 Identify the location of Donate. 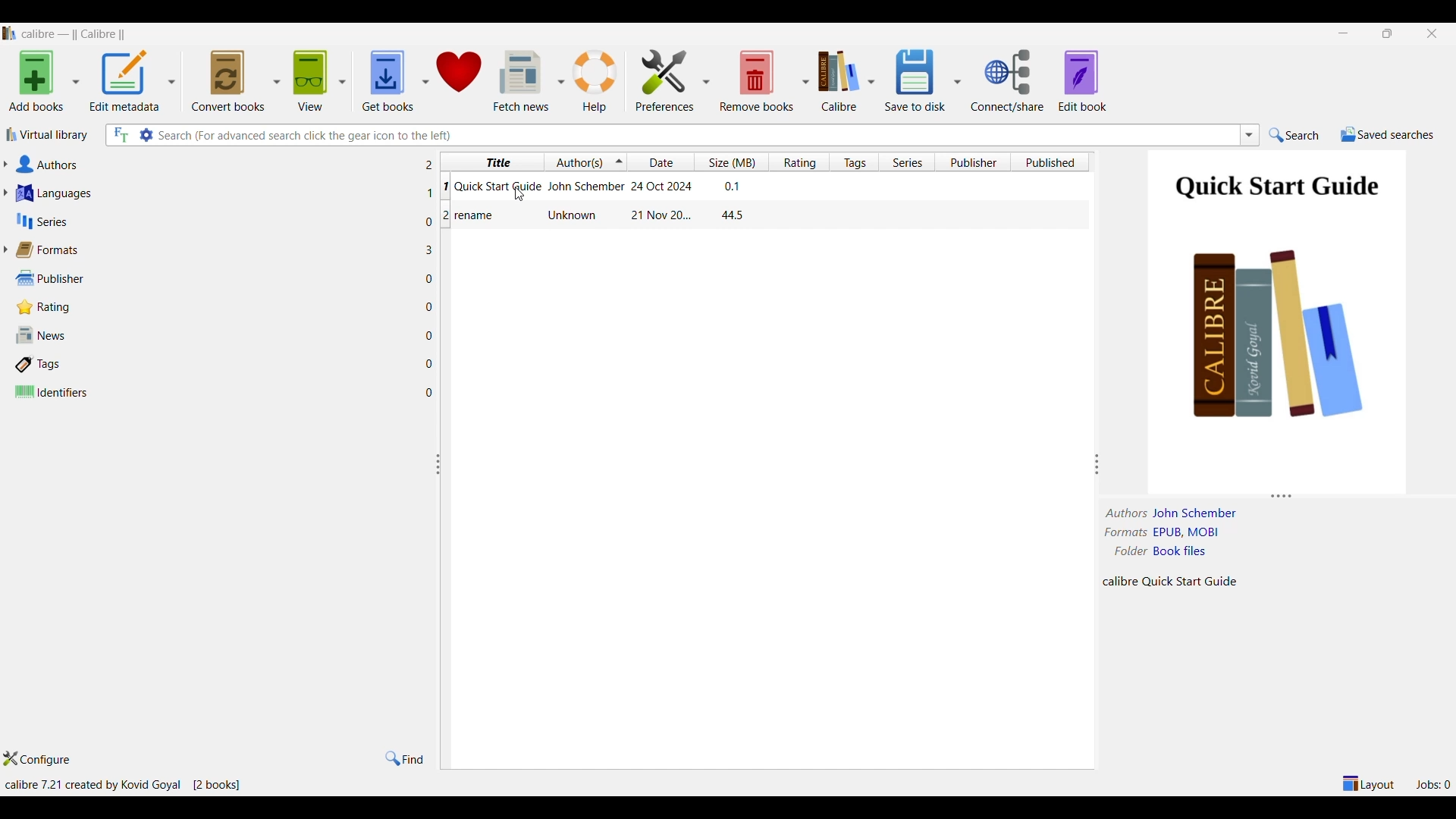
(460, 80).